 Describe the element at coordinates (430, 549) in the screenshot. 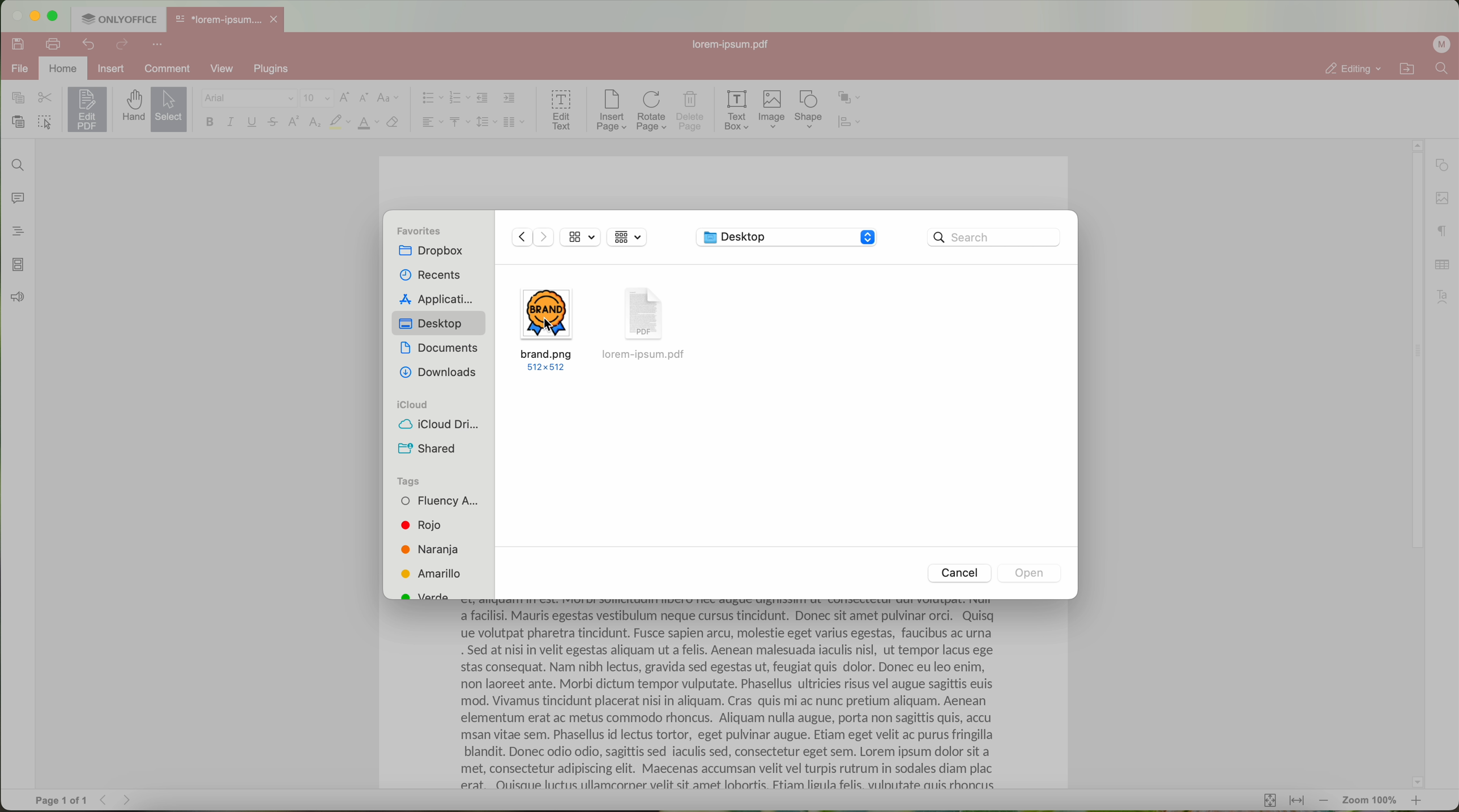

I see `Naranja` at that location.